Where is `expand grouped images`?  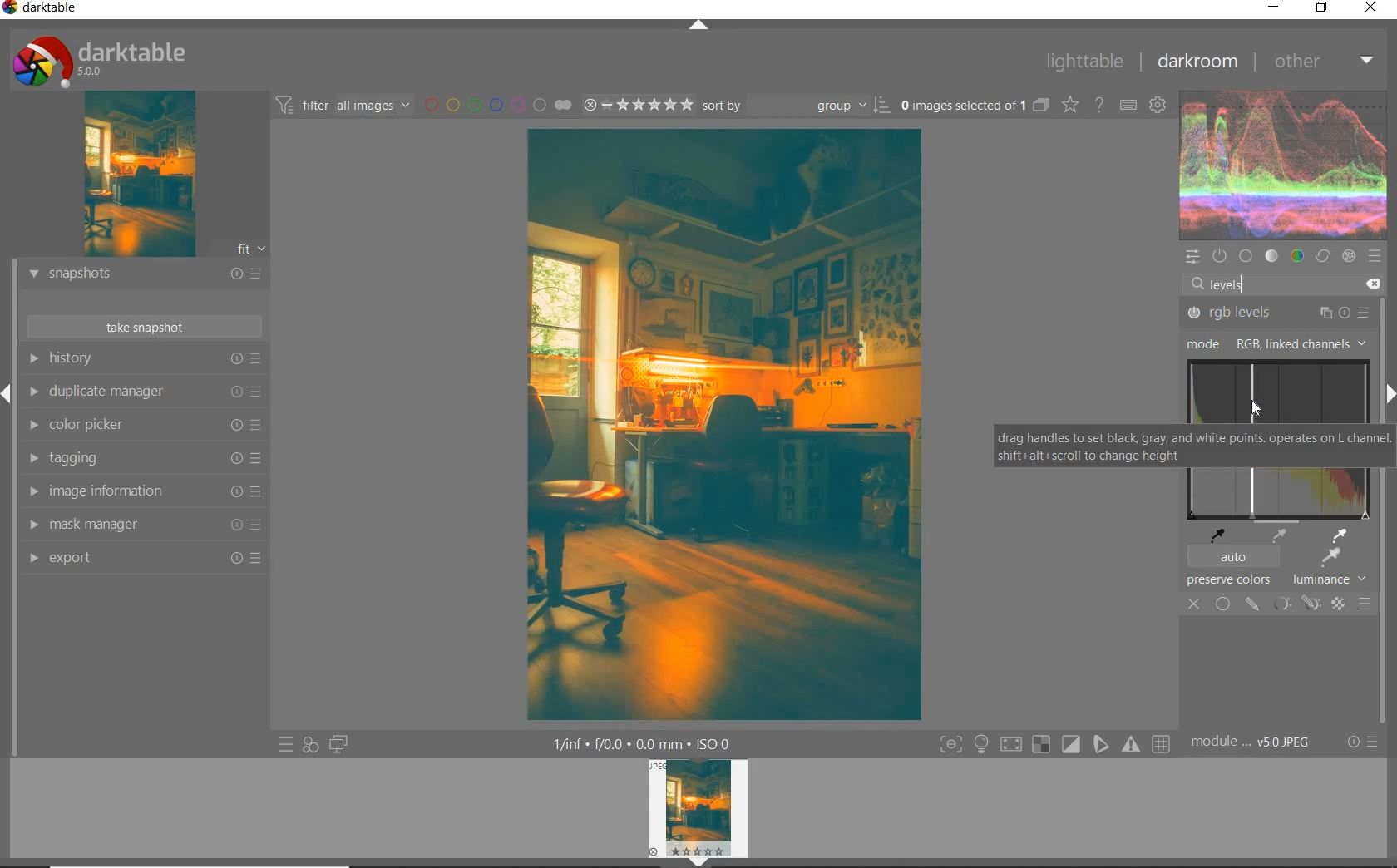 expand grouped images is located at coordinates (975, 105).